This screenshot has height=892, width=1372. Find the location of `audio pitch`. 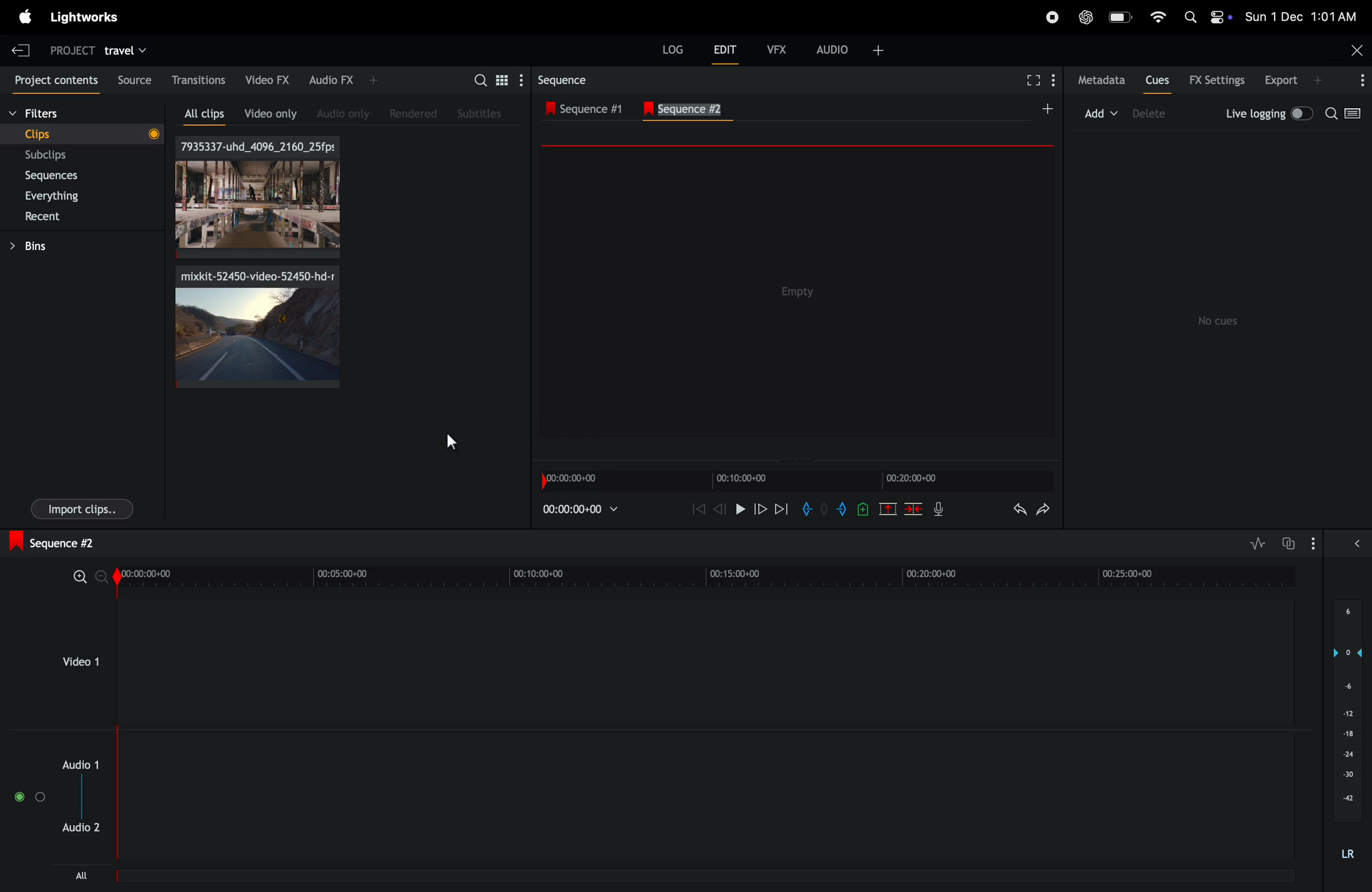

audio pitch is located at coordinates (1348, 736).